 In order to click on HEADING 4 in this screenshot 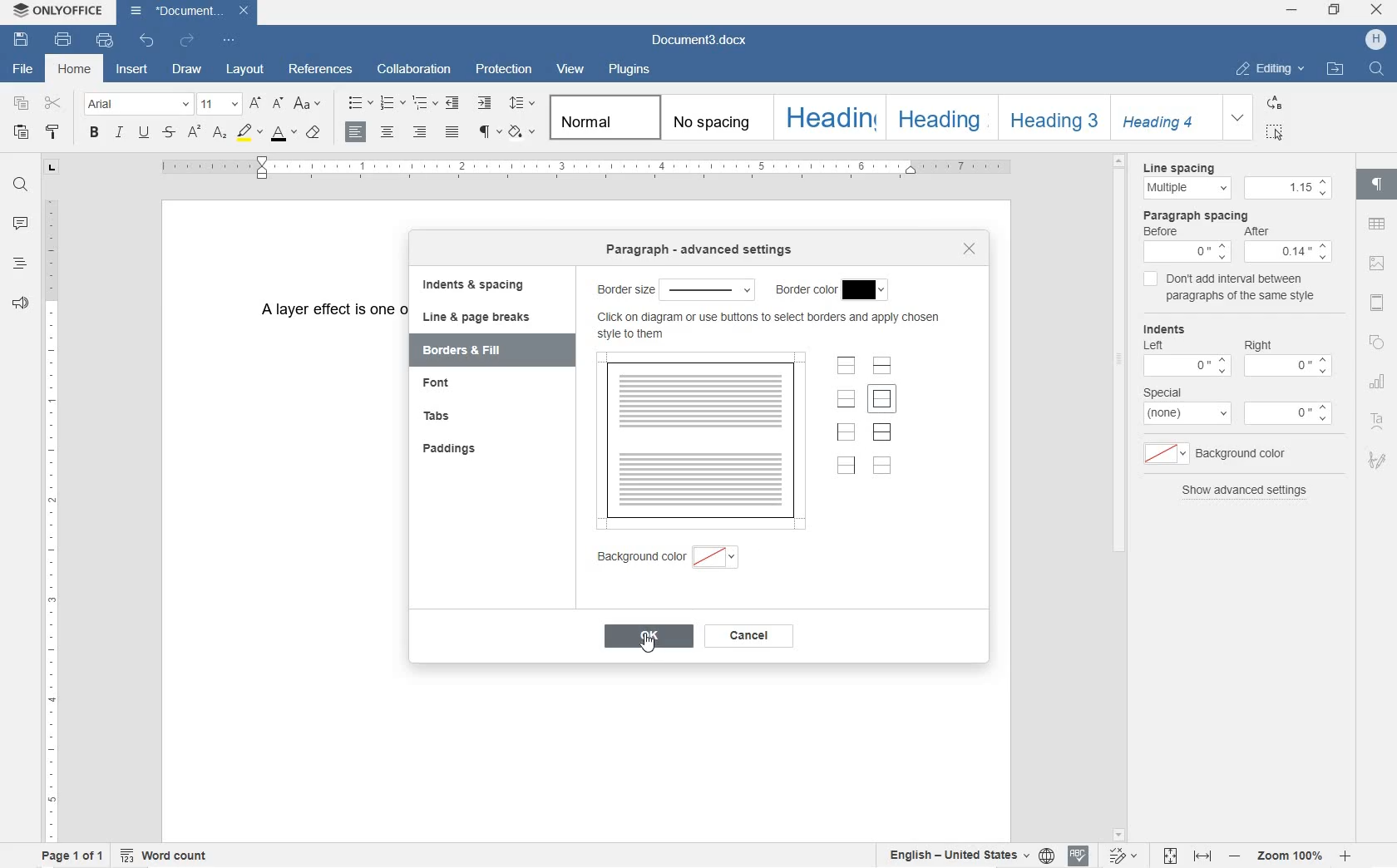, I will do `click(1164, 117)`.